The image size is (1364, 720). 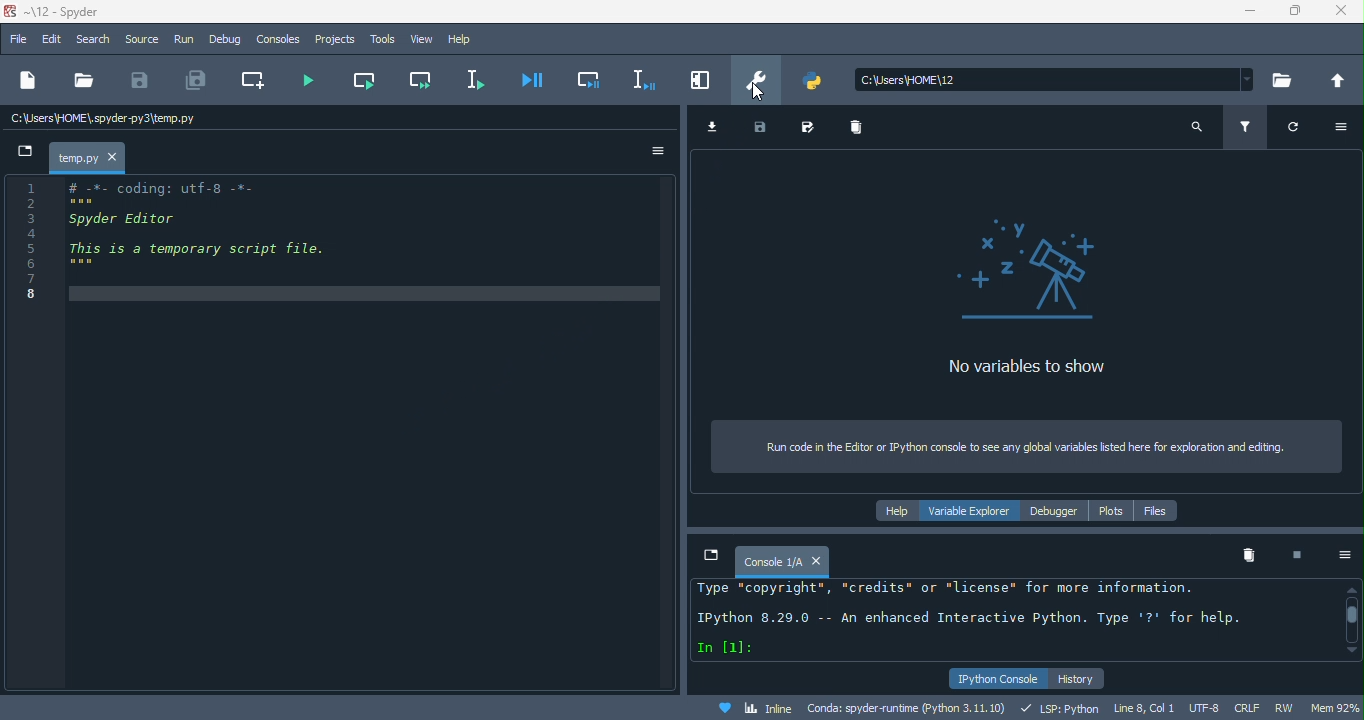 I want to click on filter, so click(x=1249, y=129).